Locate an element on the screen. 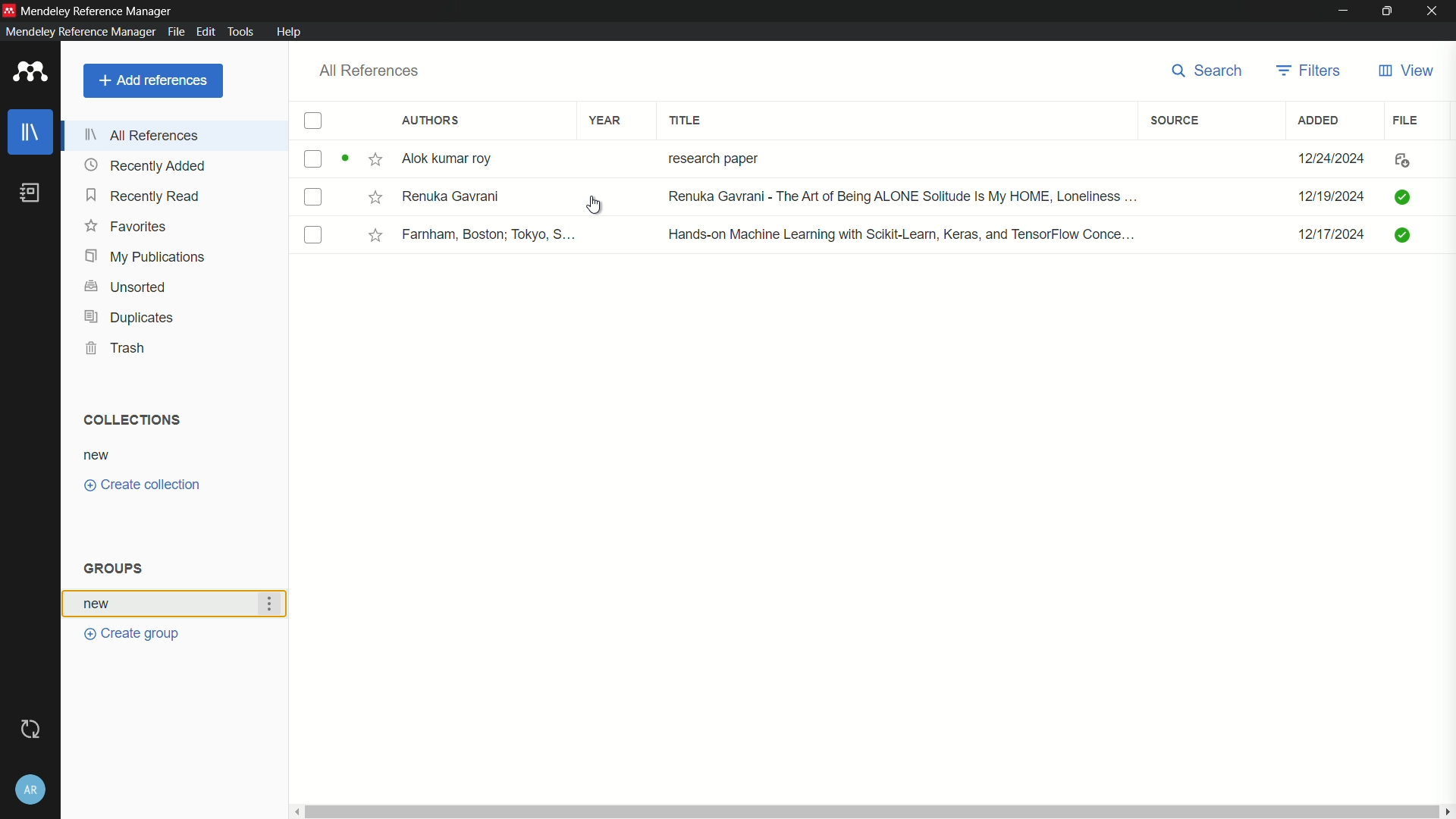 This screenshot has height=819, width=1456. close app is located at coordinates (1434, 11).